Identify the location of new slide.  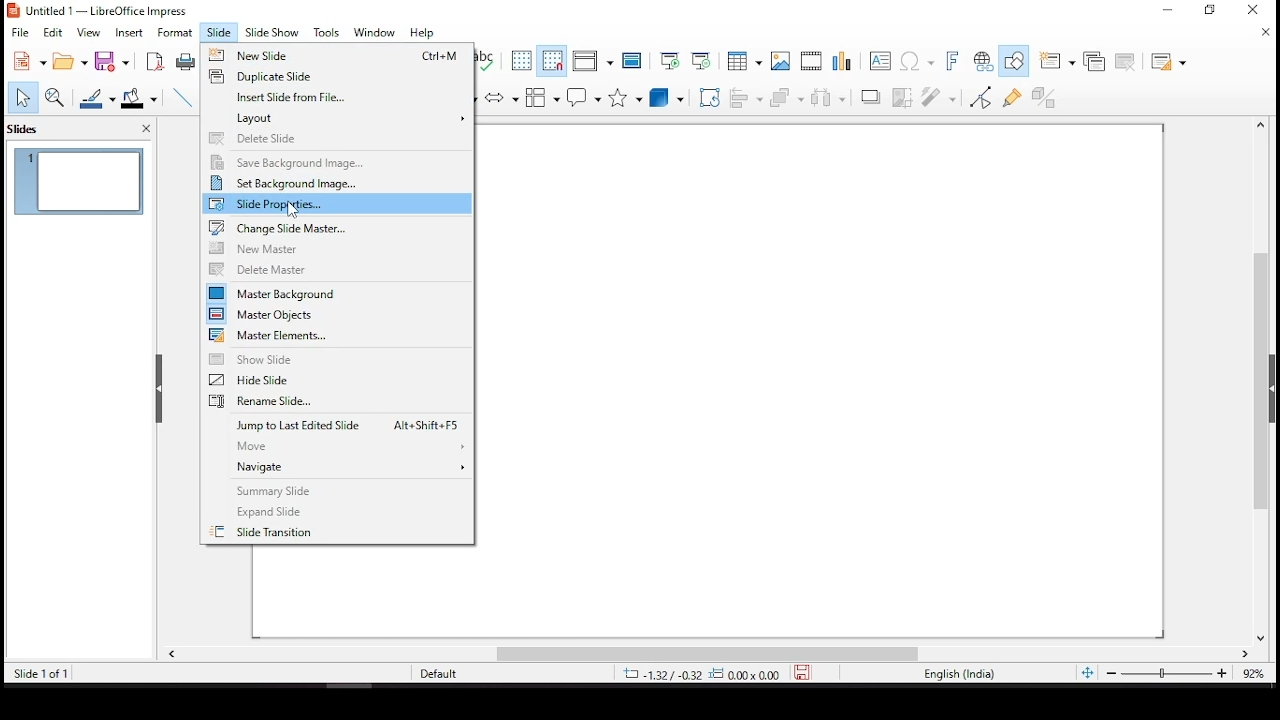
(1057, 59).